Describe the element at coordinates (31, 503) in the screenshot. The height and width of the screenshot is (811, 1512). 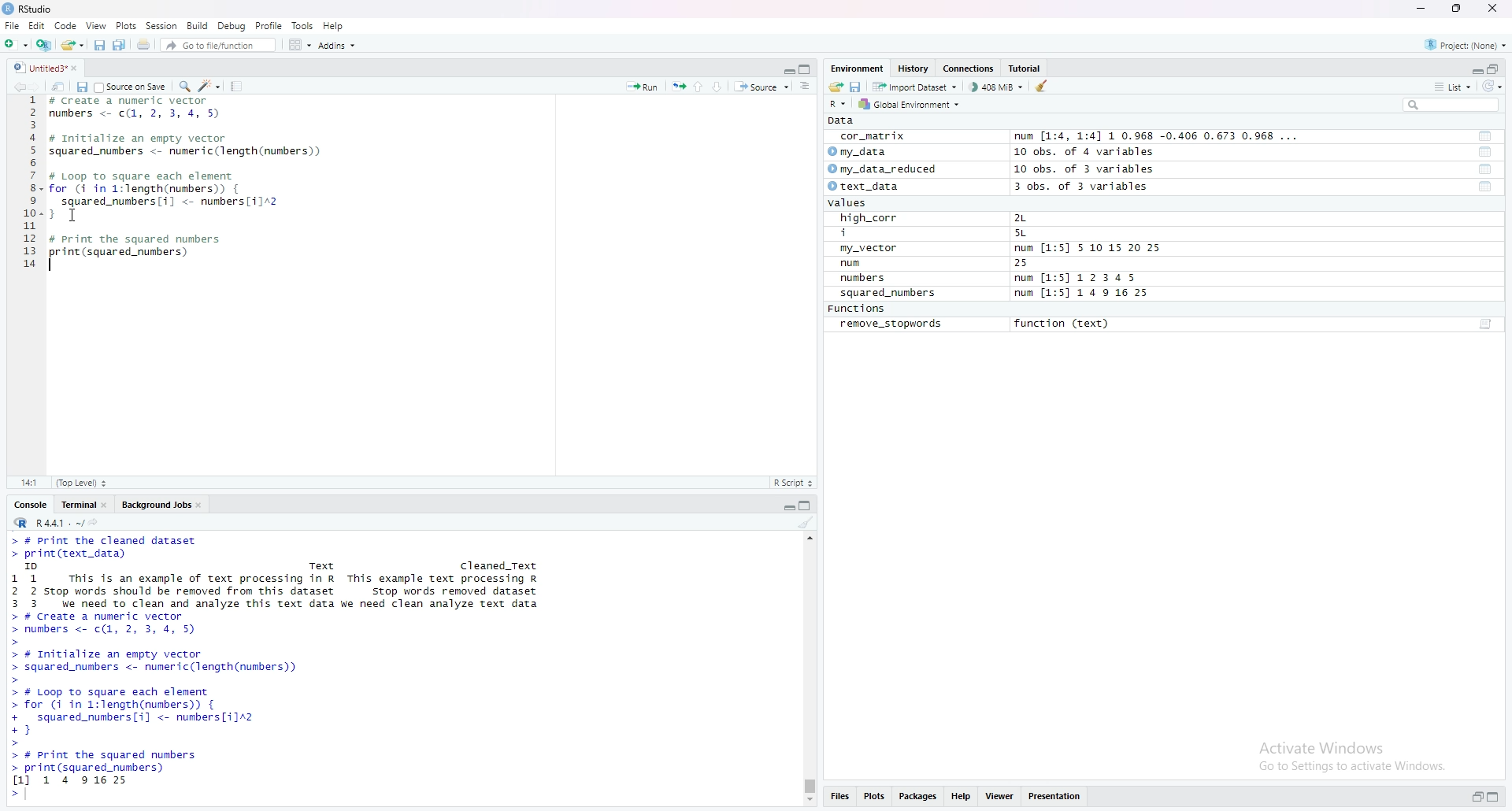
I see `Console` at that location.